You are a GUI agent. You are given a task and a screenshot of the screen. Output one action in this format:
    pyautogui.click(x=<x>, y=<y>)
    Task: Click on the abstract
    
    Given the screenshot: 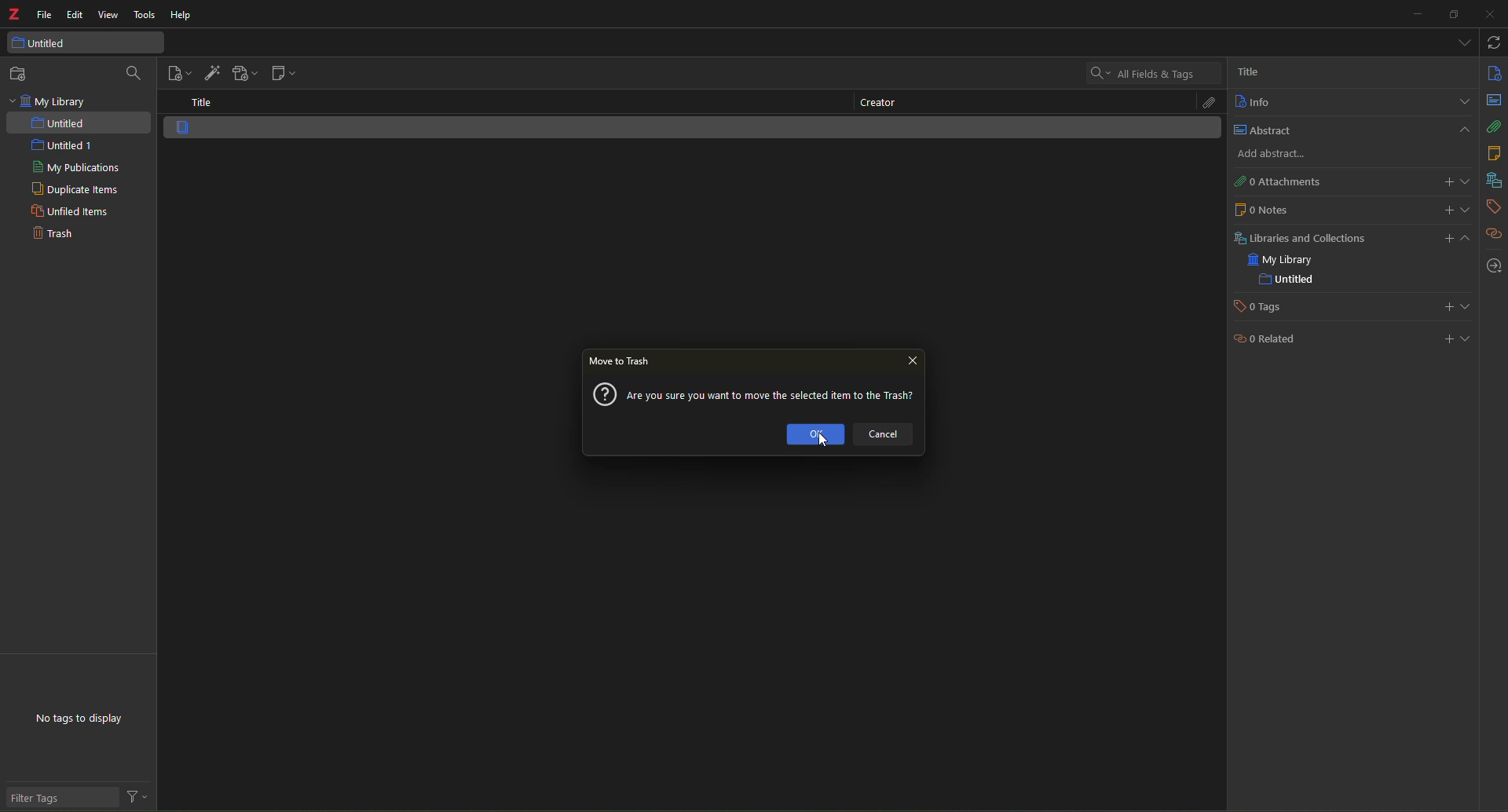 What is the action you would take?
    pyautogui.click(x=1260, y=130)
    